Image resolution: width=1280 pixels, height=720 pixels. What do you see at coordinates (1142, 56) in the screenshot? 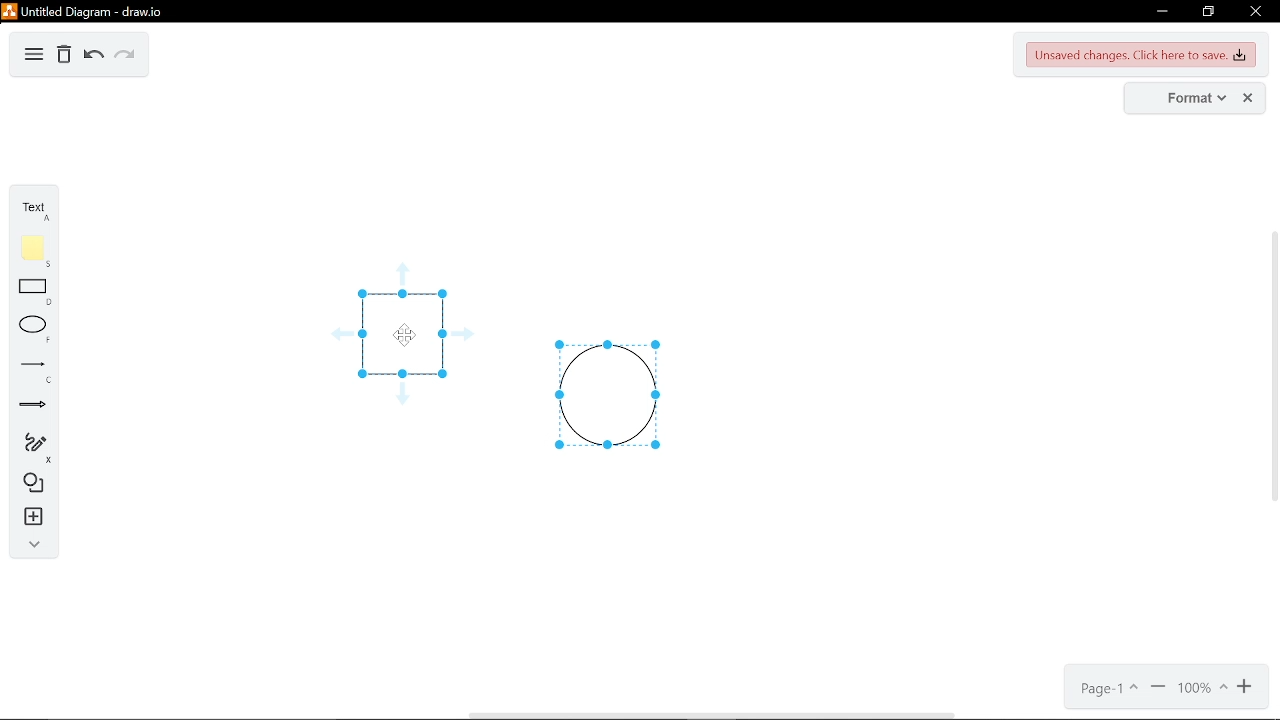
I see `unsaved changes. Click here to save` at bounding box center [1142, 56].